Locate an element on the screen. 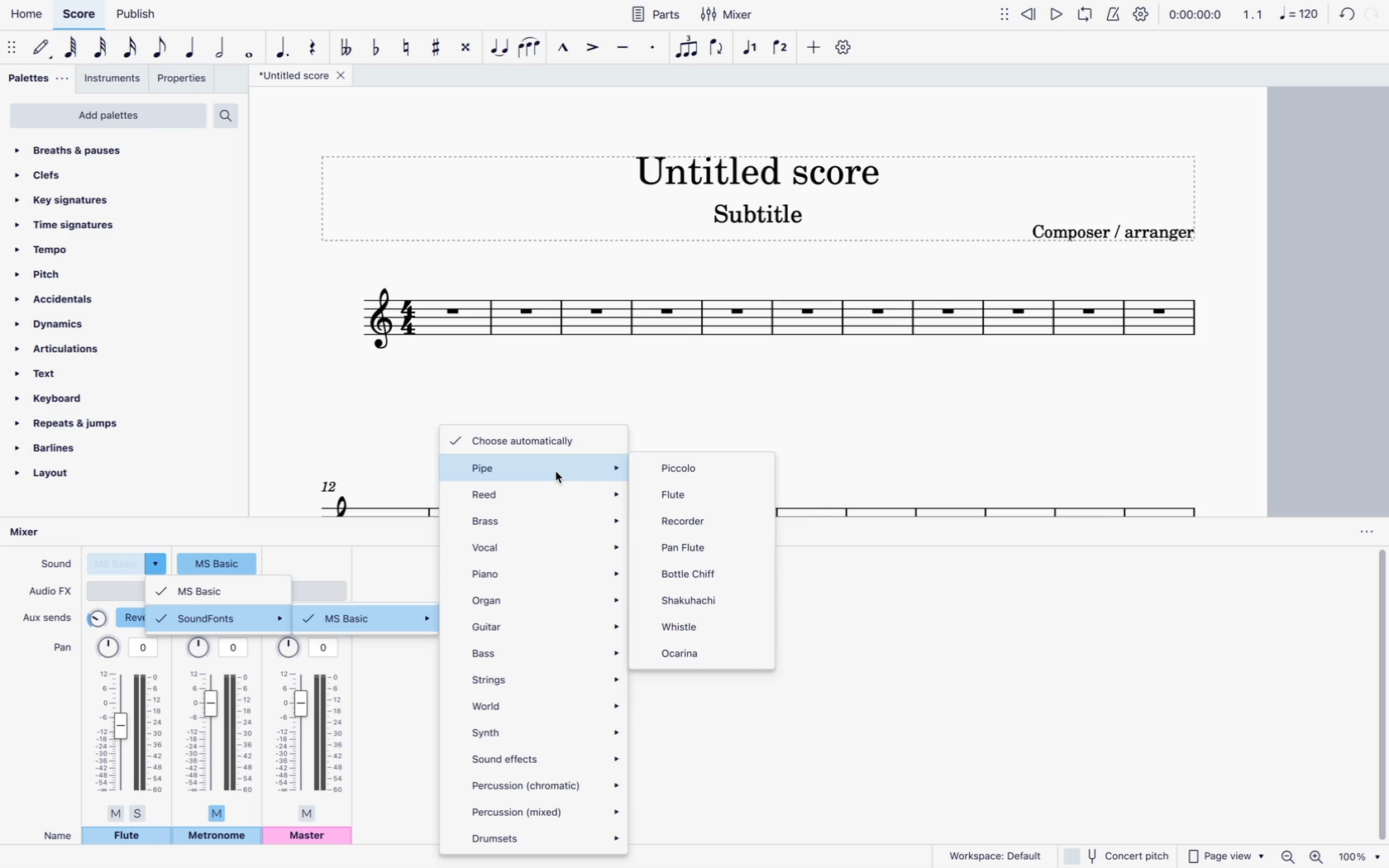  text is located at coordinates (61, 375).